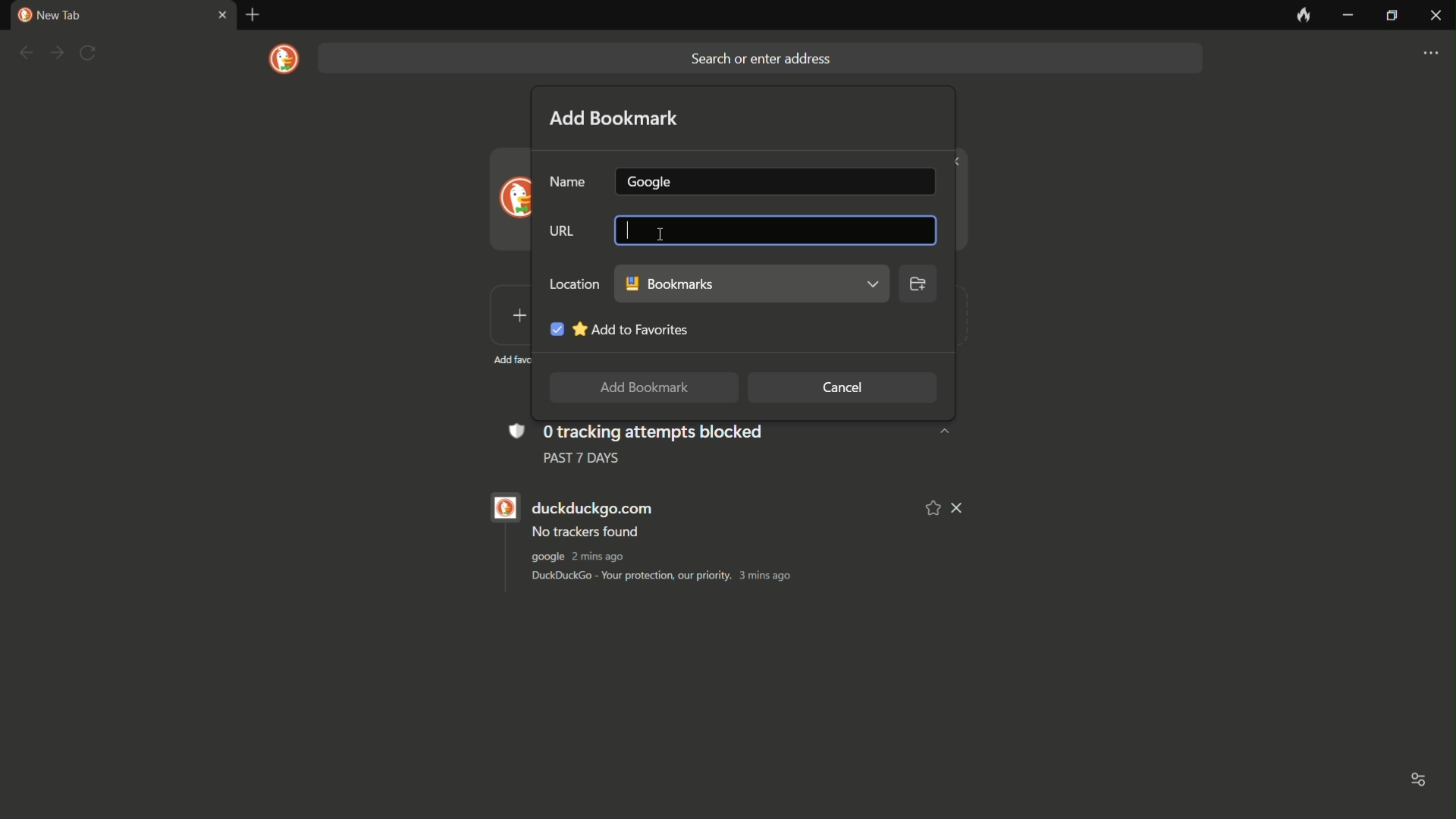 This screenshot has height=819, width=1456. What do you see at coordinates (253, 15) in the screenshot?
I see `new tab` at bounding box center [253, 15].